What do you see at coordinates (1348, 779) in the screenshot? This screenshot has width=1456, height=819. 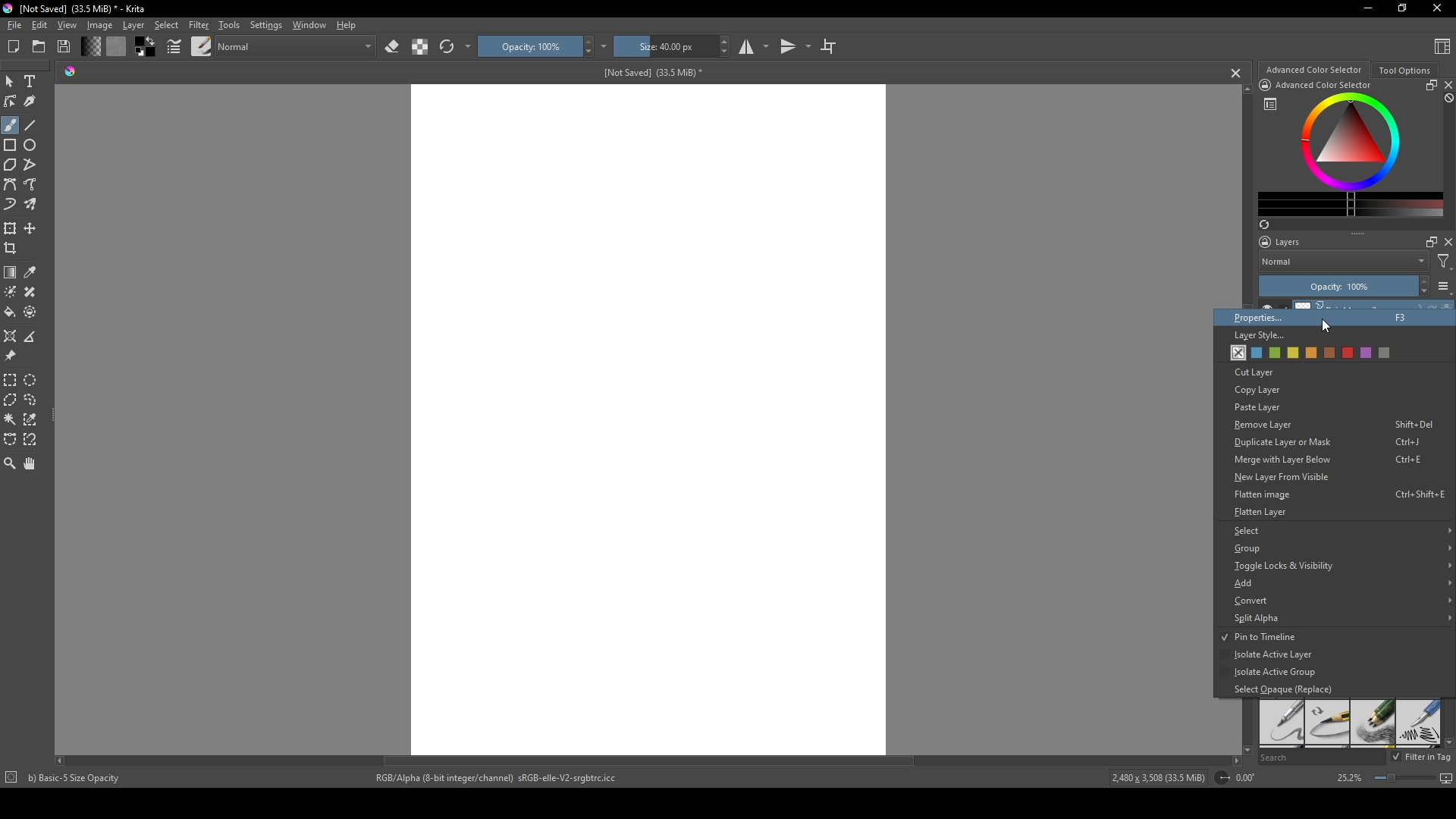 I see `25.2%` at bounding box center [1348, 779].